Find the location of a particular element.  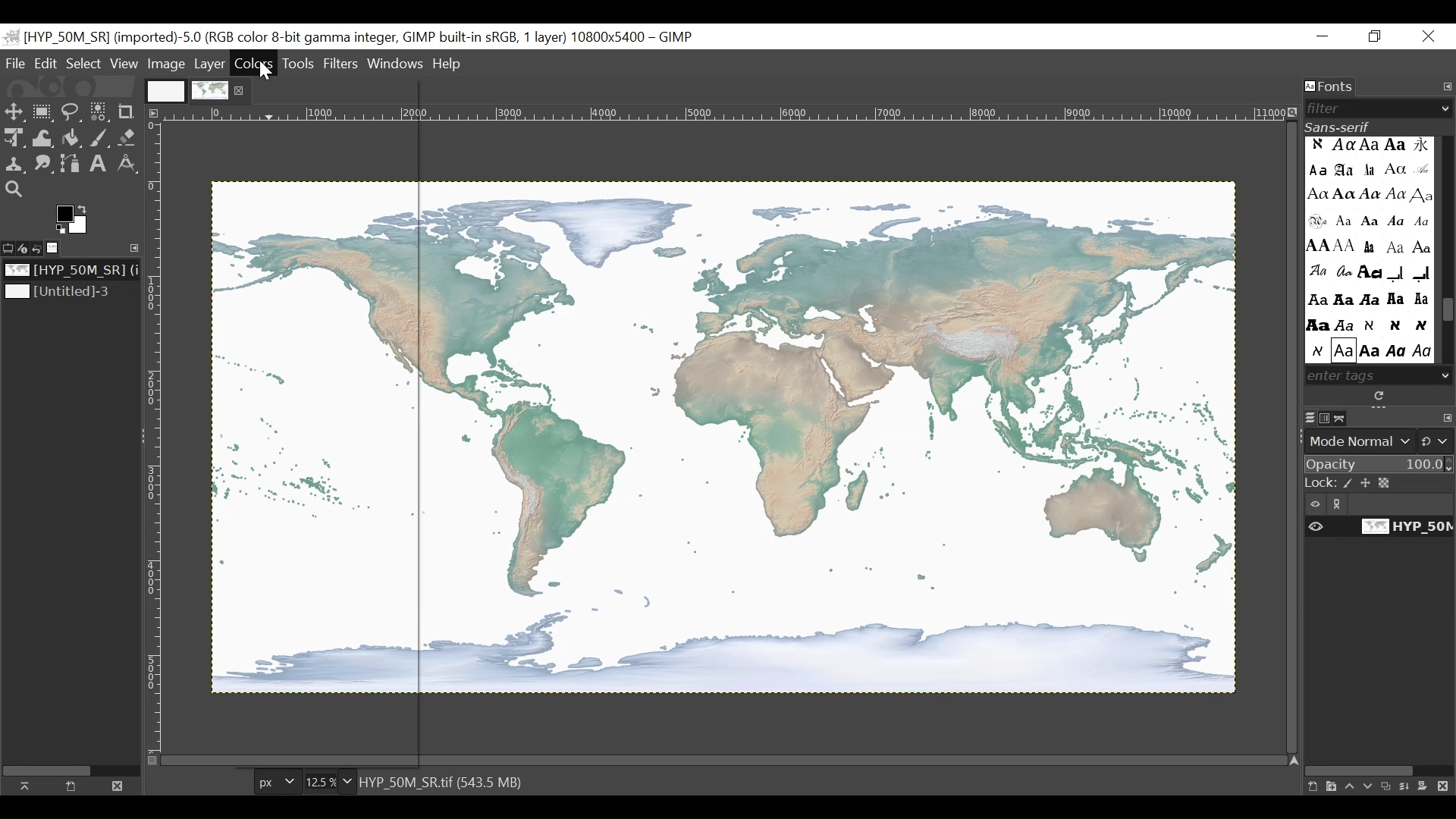

Image Display is located at coordinates (196, 89).